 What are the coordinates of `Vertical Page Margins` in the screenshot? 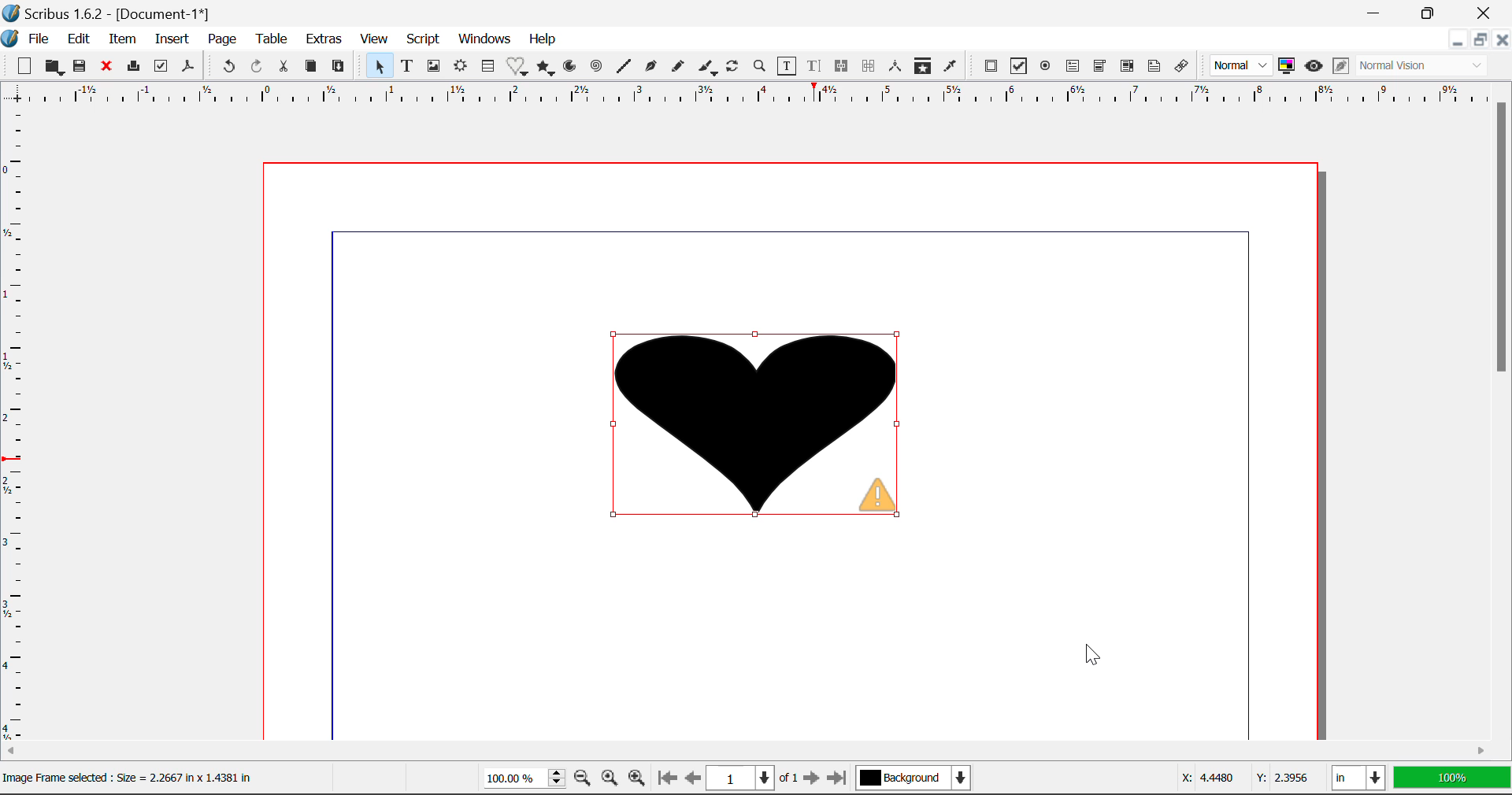 It's located at (743, 97).